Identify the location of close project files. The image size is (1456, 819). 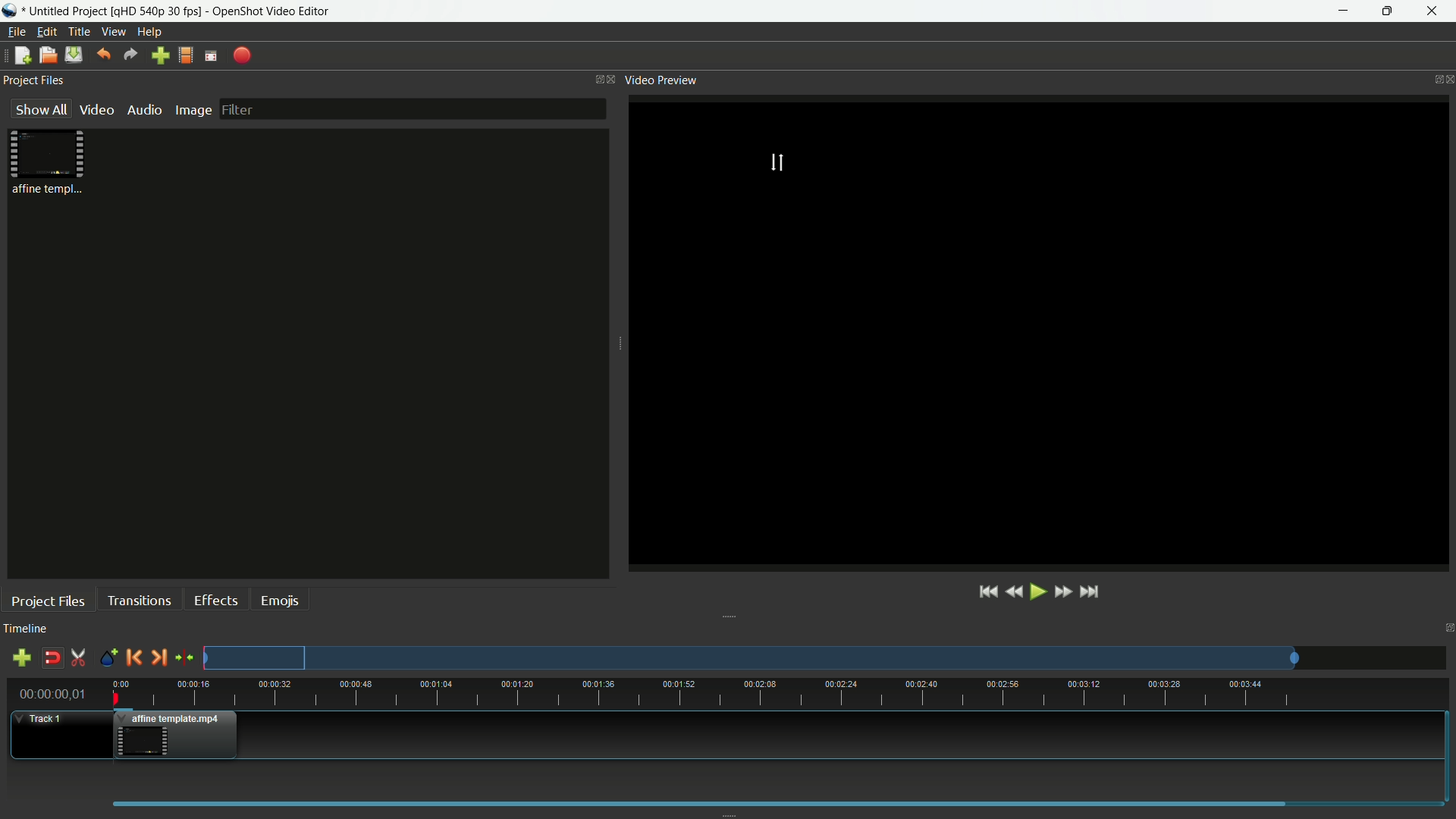
(613, 79).